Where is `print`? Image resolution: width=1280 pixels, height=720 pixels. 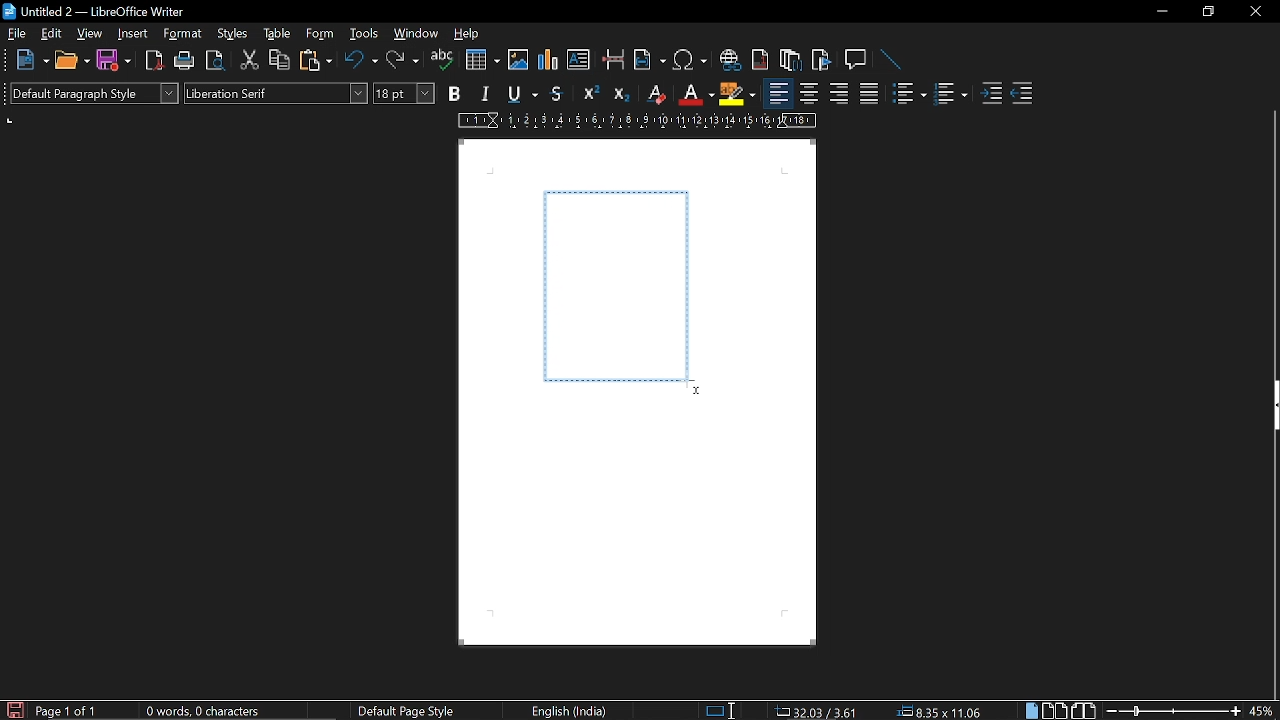 print is located at coordinates (182, 60).